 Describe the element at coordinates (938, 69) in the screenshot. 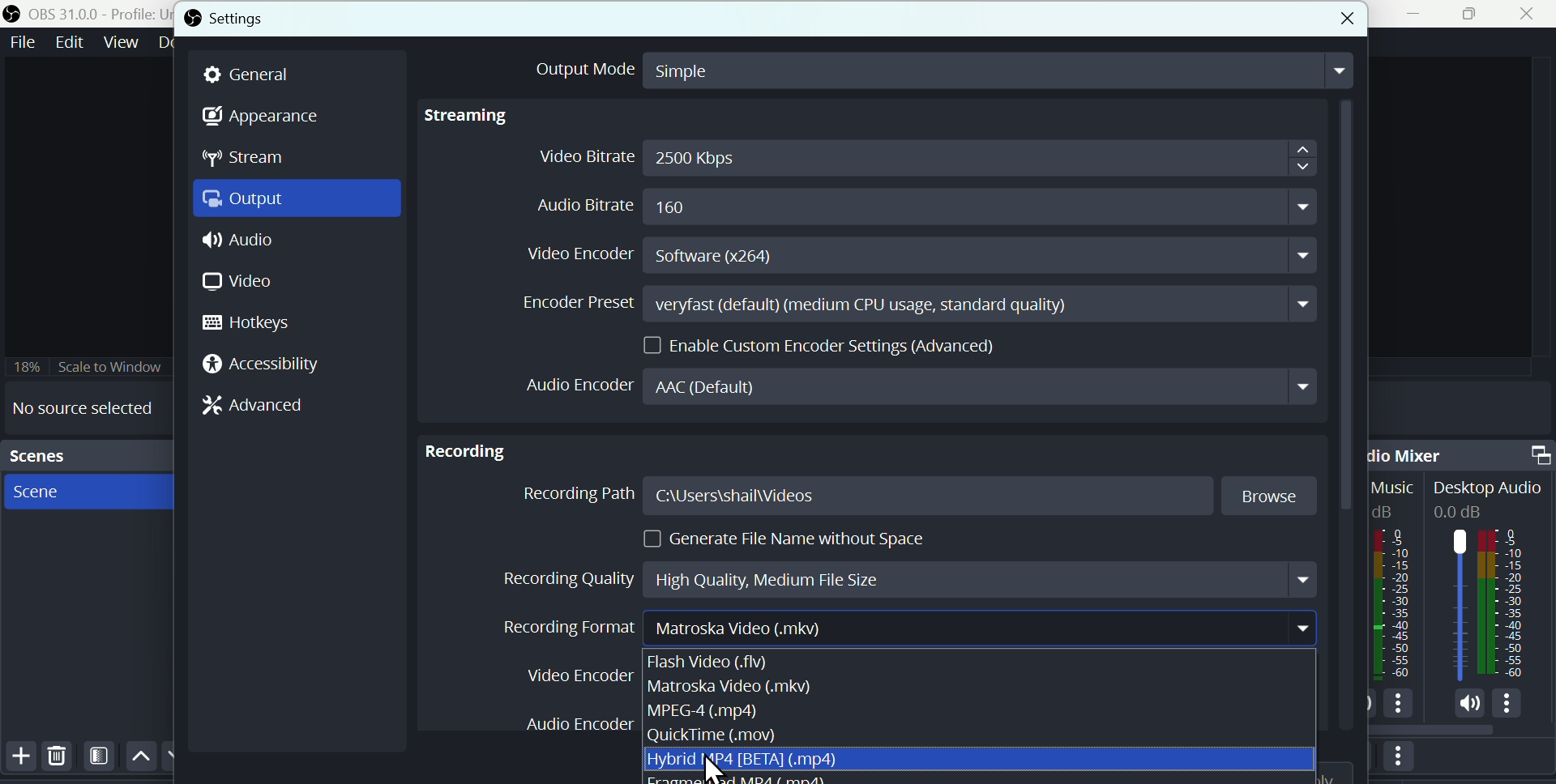

I see `output mode` at that location.